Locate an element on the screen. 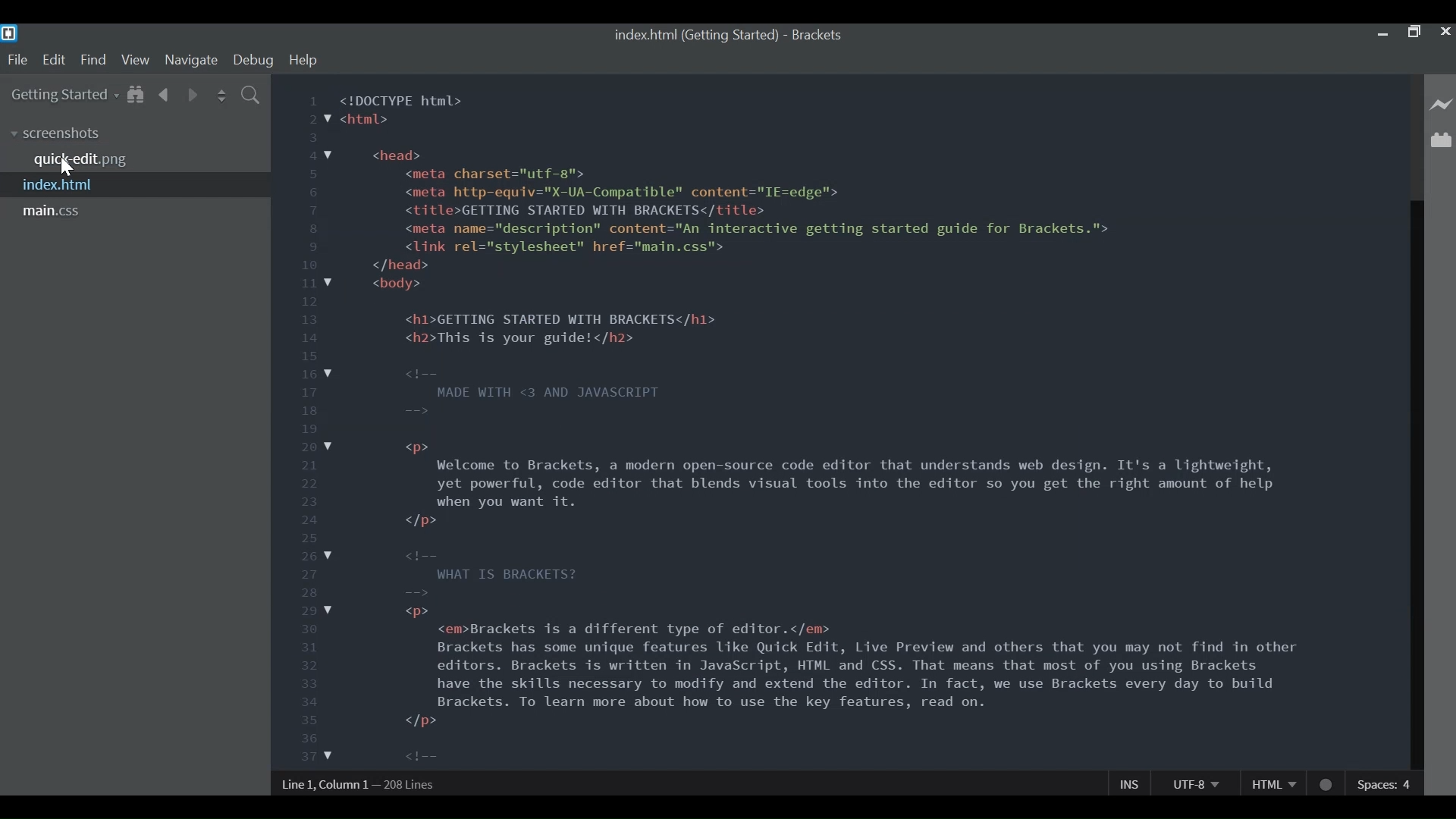  Live Preview is located at coordinates (1442, 105).